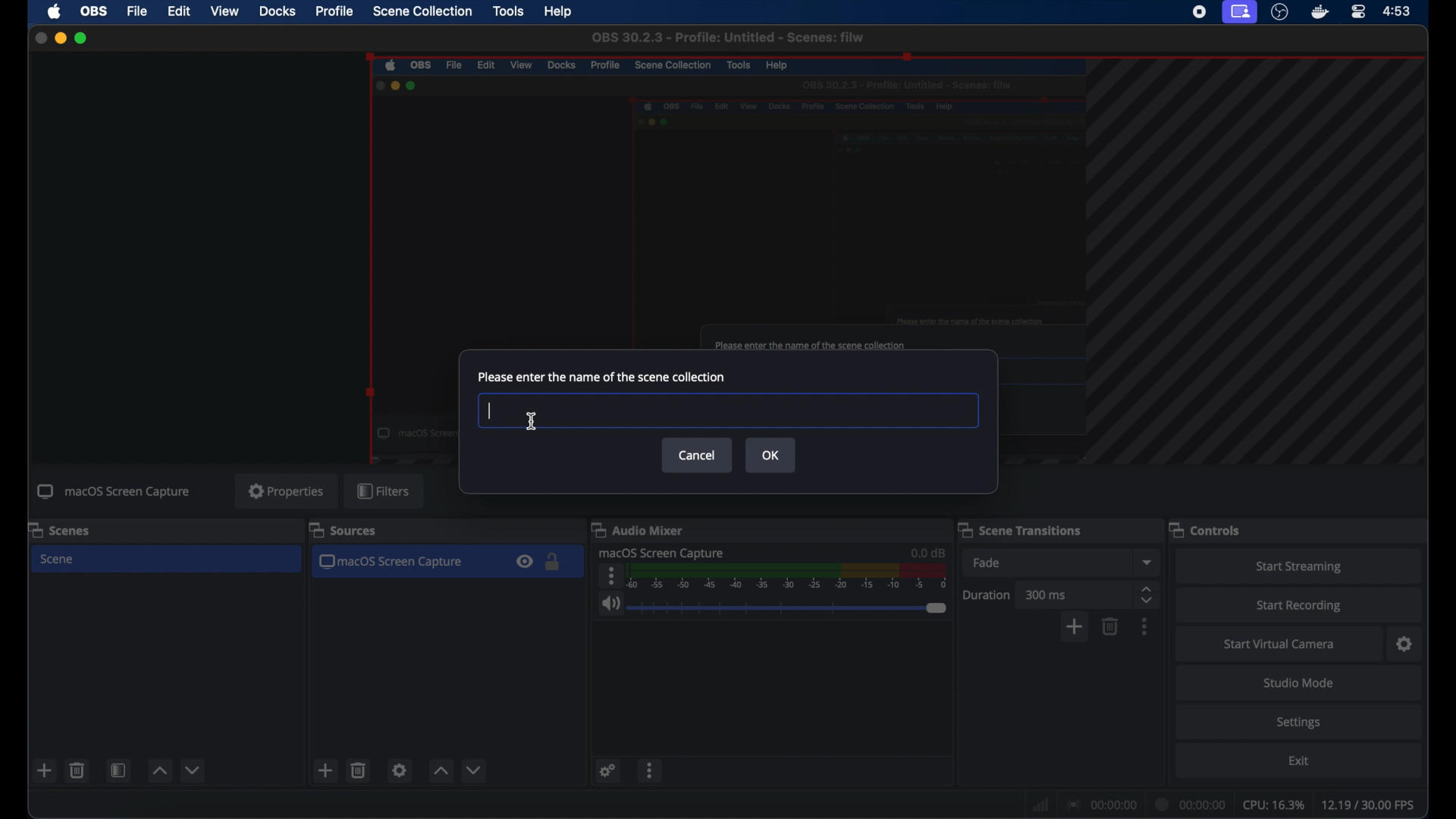  What do you see at coordinates (1297, 682) in the screenshot?
I see `studio  mode` at bounding box center [1297, 682].